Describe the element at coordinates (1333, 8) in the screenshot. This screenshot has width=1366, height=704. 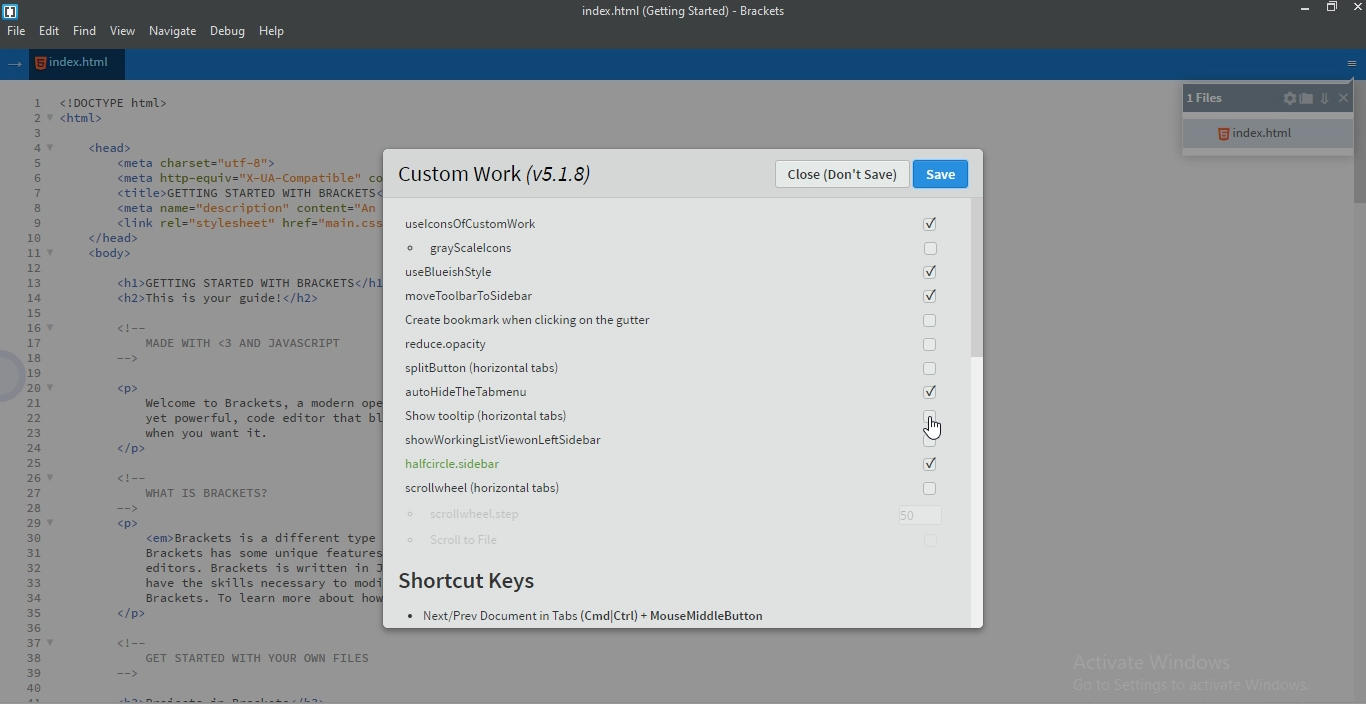
I see `restore` at that location.